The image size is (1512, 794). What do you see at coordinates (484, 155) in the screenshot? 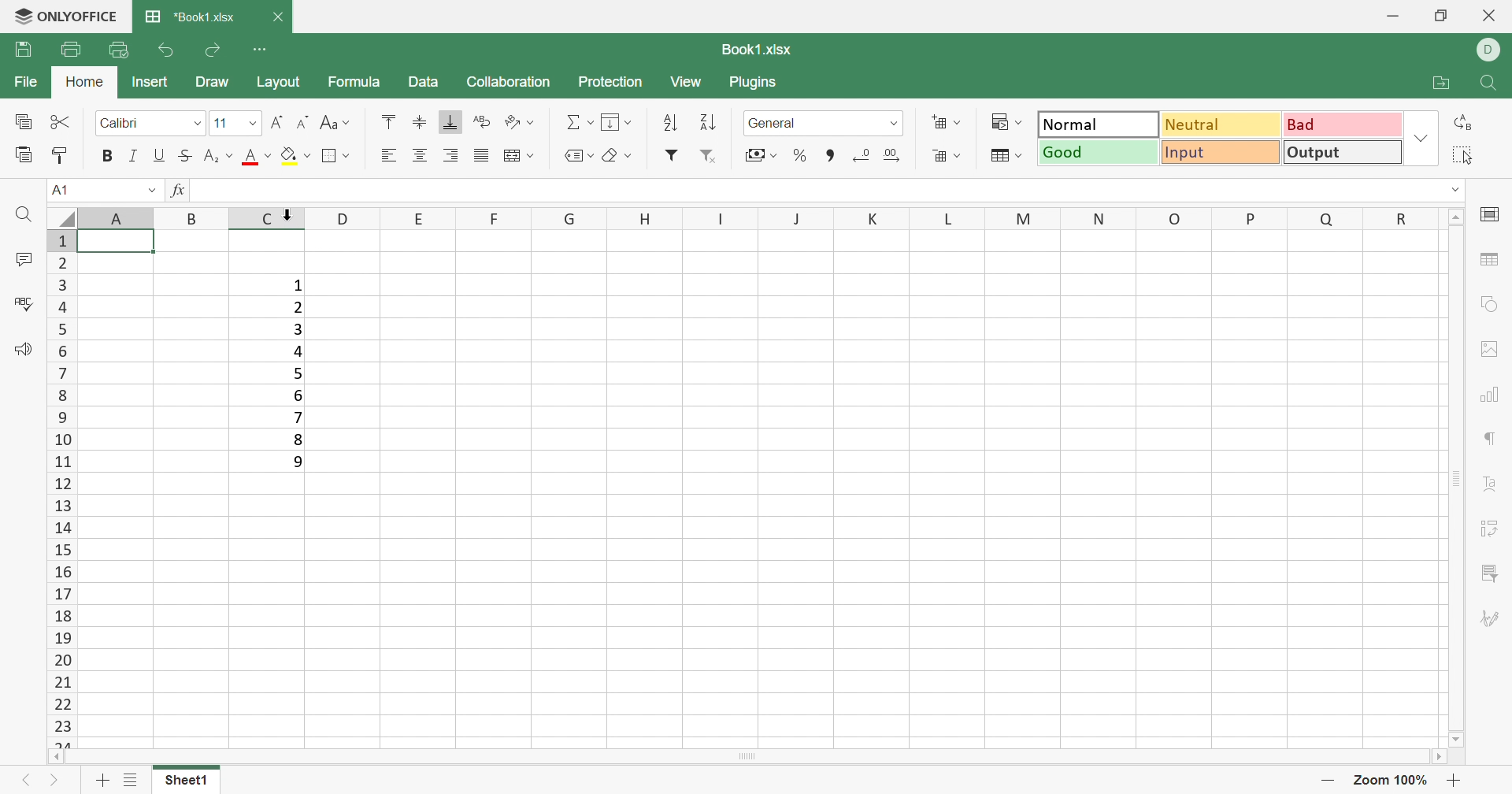
I see `Justified` at bounding box center [484, 155].